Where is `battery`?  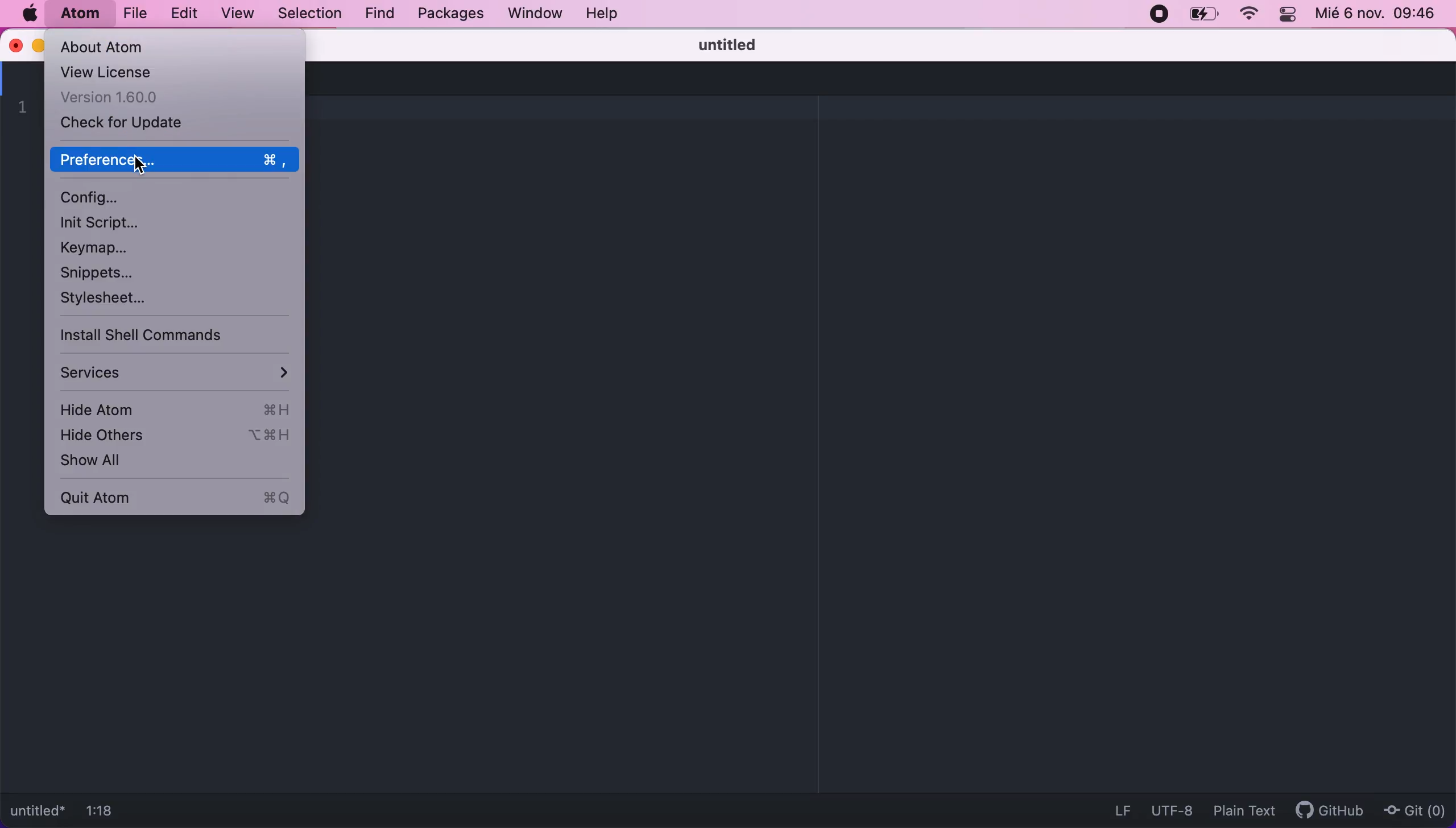
battery is located at coordinates (1205, 14).